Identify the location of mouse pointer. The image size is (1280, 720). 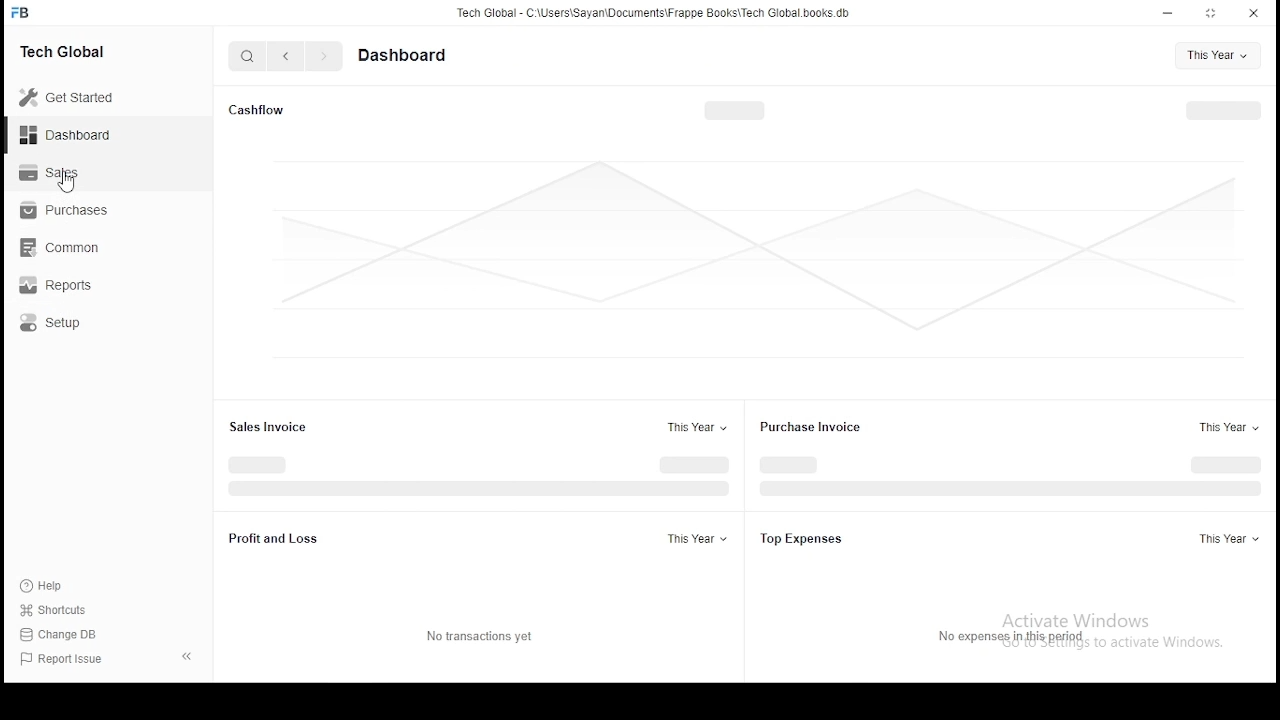
(69, 186).